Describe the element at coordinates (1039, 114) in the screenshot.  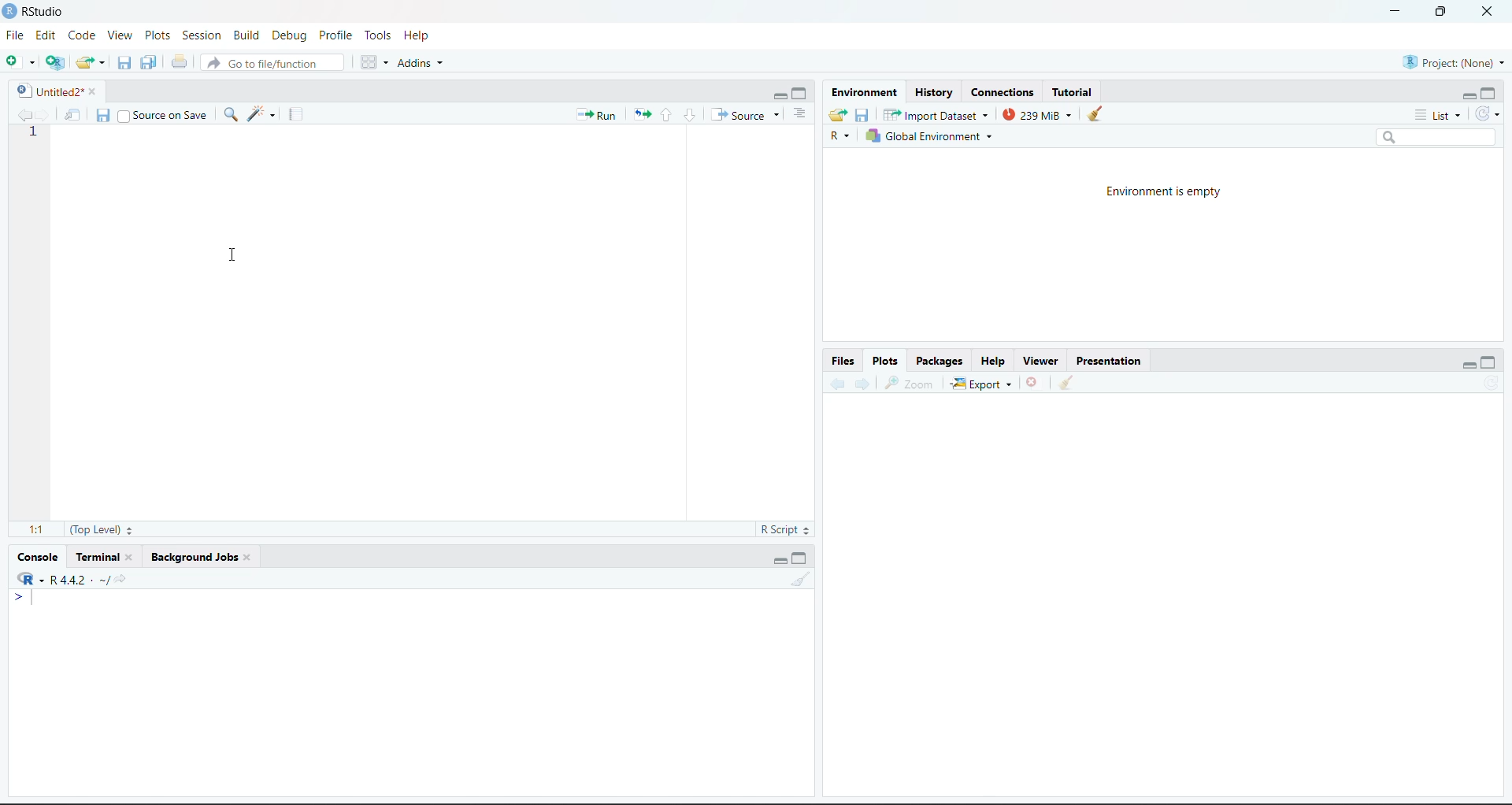
I see `239kib used by R session (Source: Windows System)` at that location.